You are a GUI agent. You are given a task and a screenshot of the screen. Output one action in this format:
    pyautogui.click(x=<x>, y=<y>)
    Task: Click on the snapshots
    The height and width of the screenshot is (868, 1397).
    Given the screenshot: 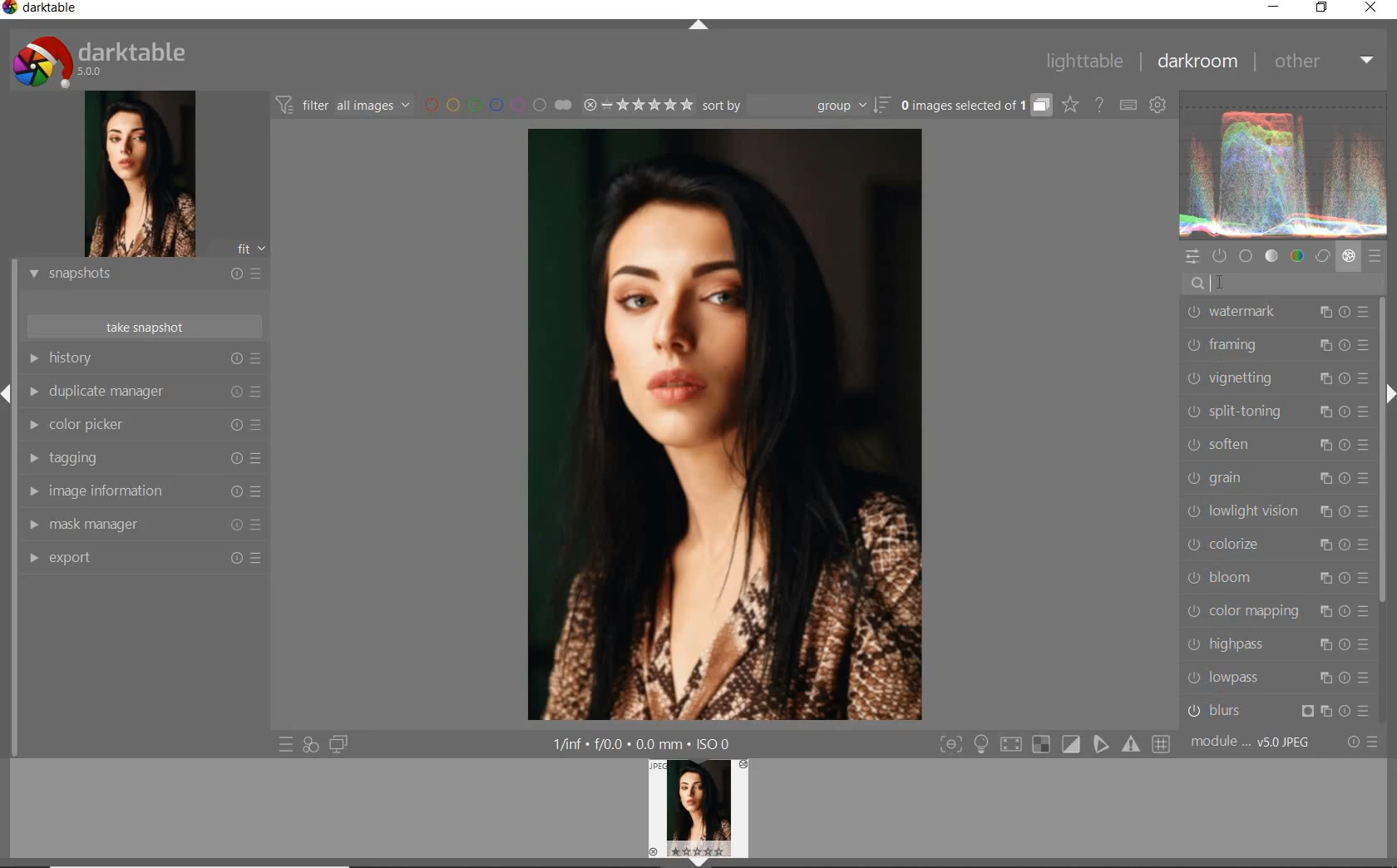 What is the action you would take?
    pyautogui.click(x=142, y=274)
    